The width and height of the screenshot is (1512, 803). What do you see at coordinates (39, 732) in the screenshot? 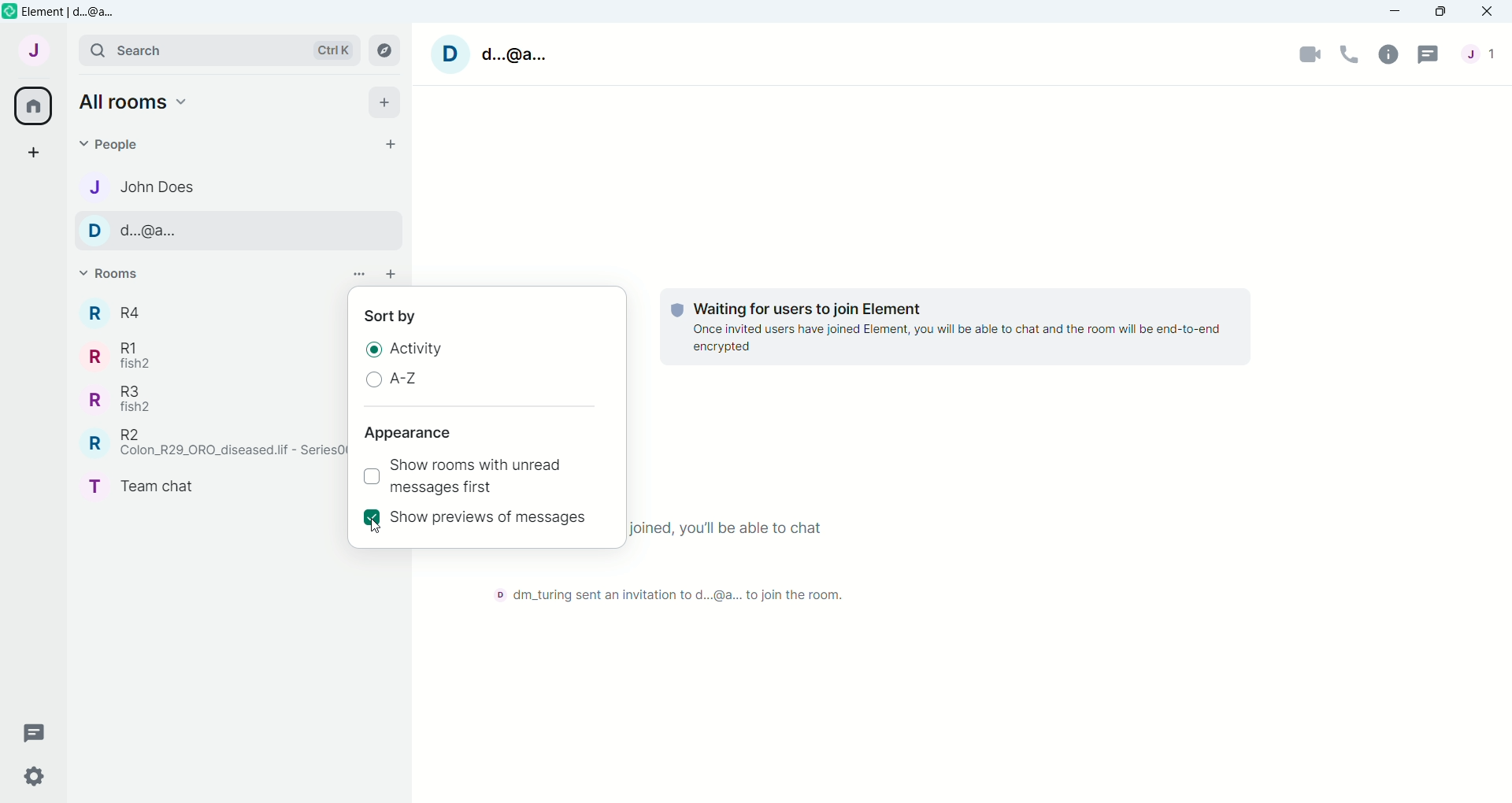
I see `Threads` at bounding box center [39, 732].